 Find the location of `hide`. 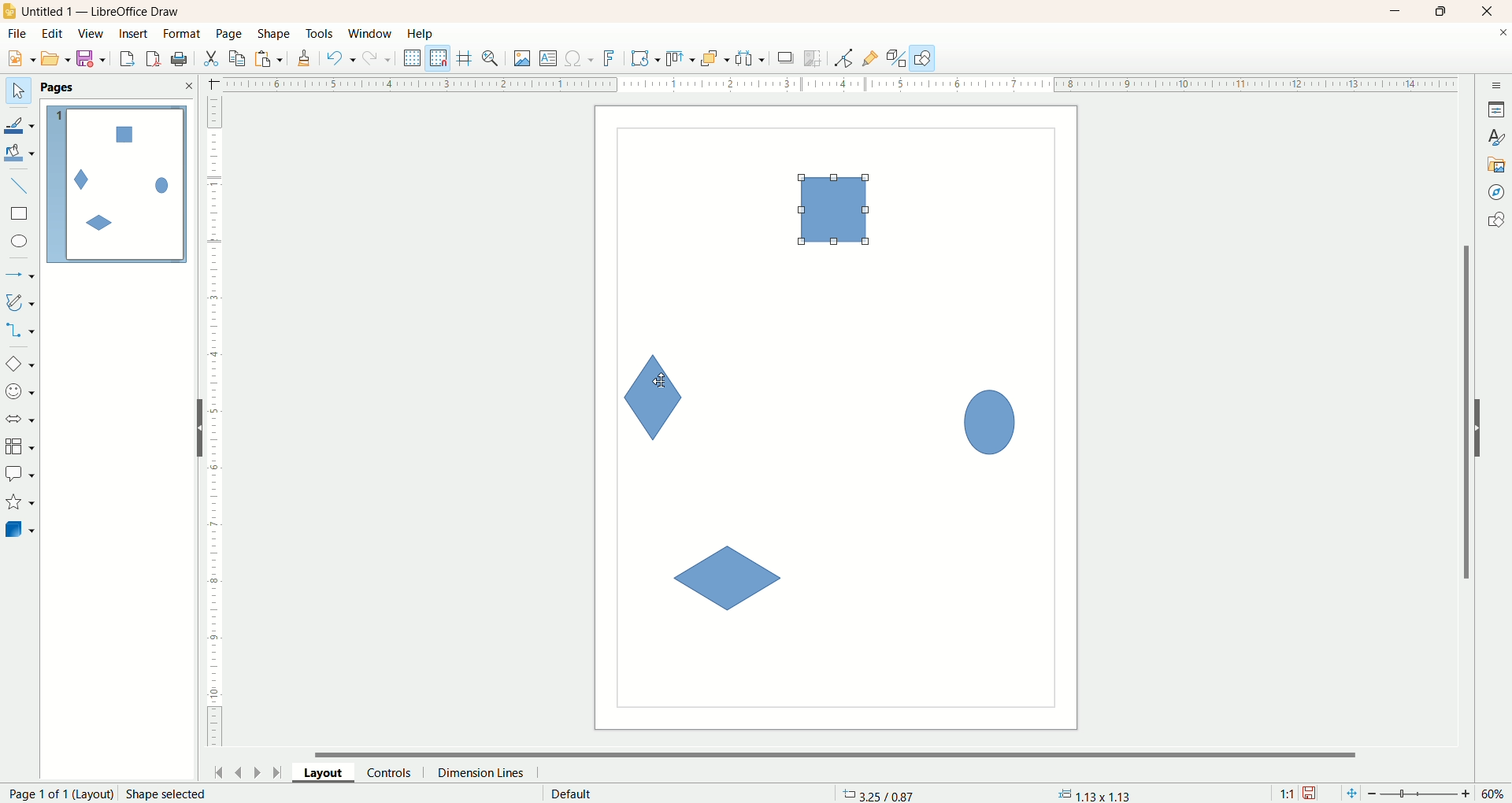

hide is located at coordinates (1486, 425).